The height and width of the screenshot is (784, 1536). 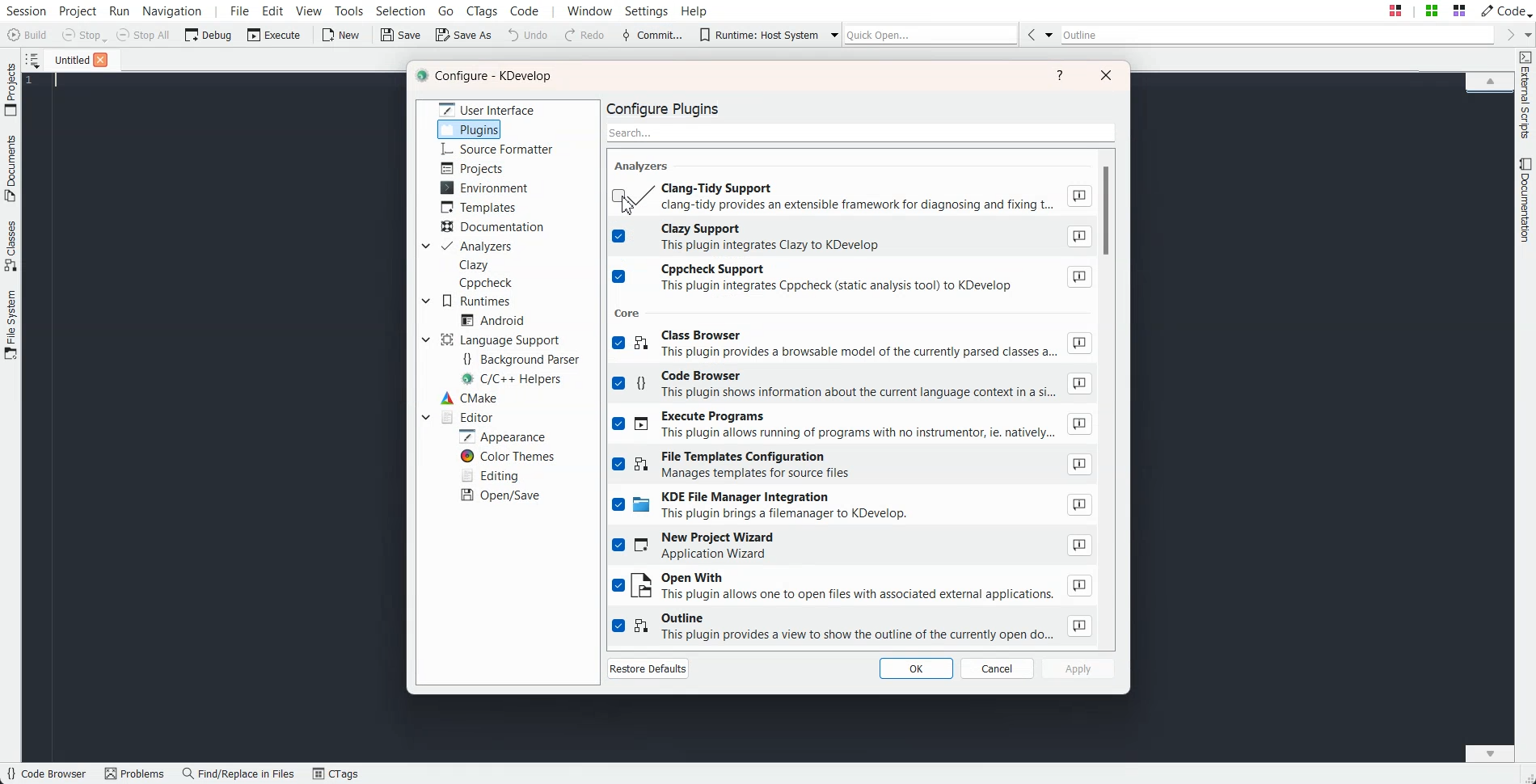 I want to click on Documents, so click(x=11, y=168).